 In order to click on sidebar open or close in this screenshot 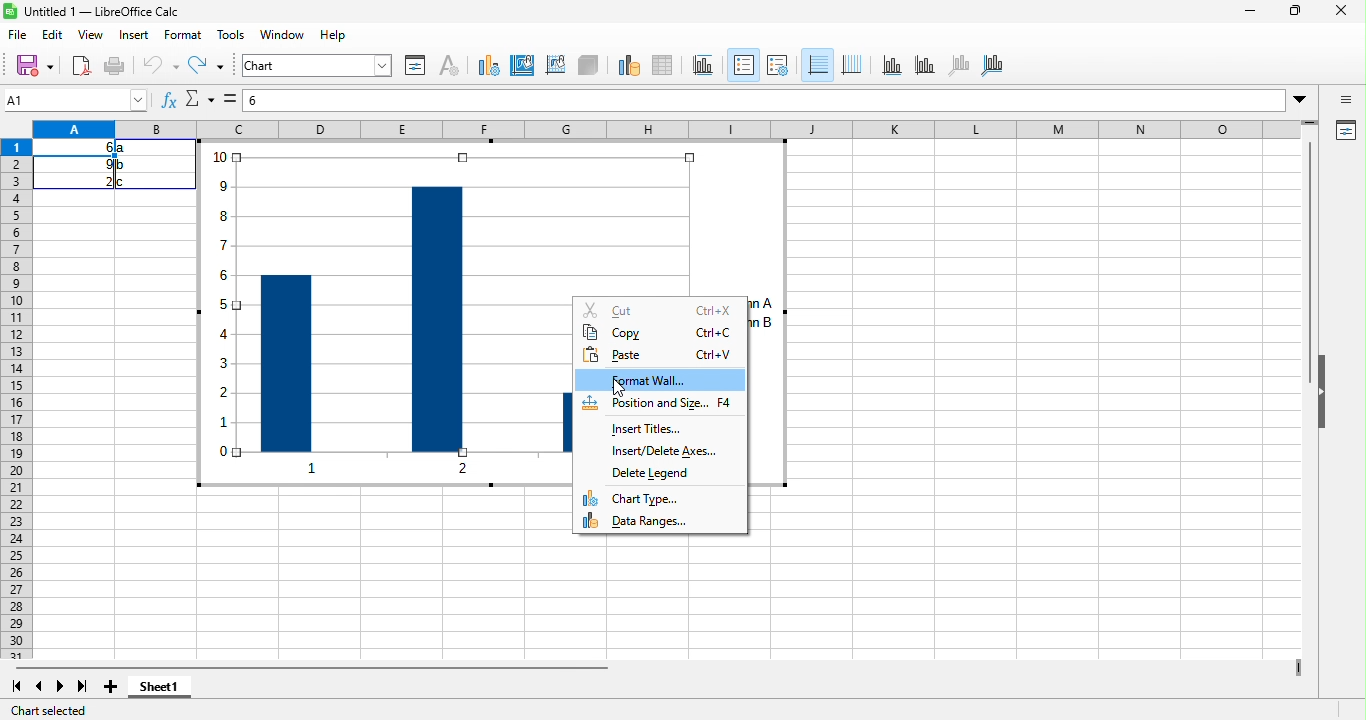, I will do `click(1347, 101)`.